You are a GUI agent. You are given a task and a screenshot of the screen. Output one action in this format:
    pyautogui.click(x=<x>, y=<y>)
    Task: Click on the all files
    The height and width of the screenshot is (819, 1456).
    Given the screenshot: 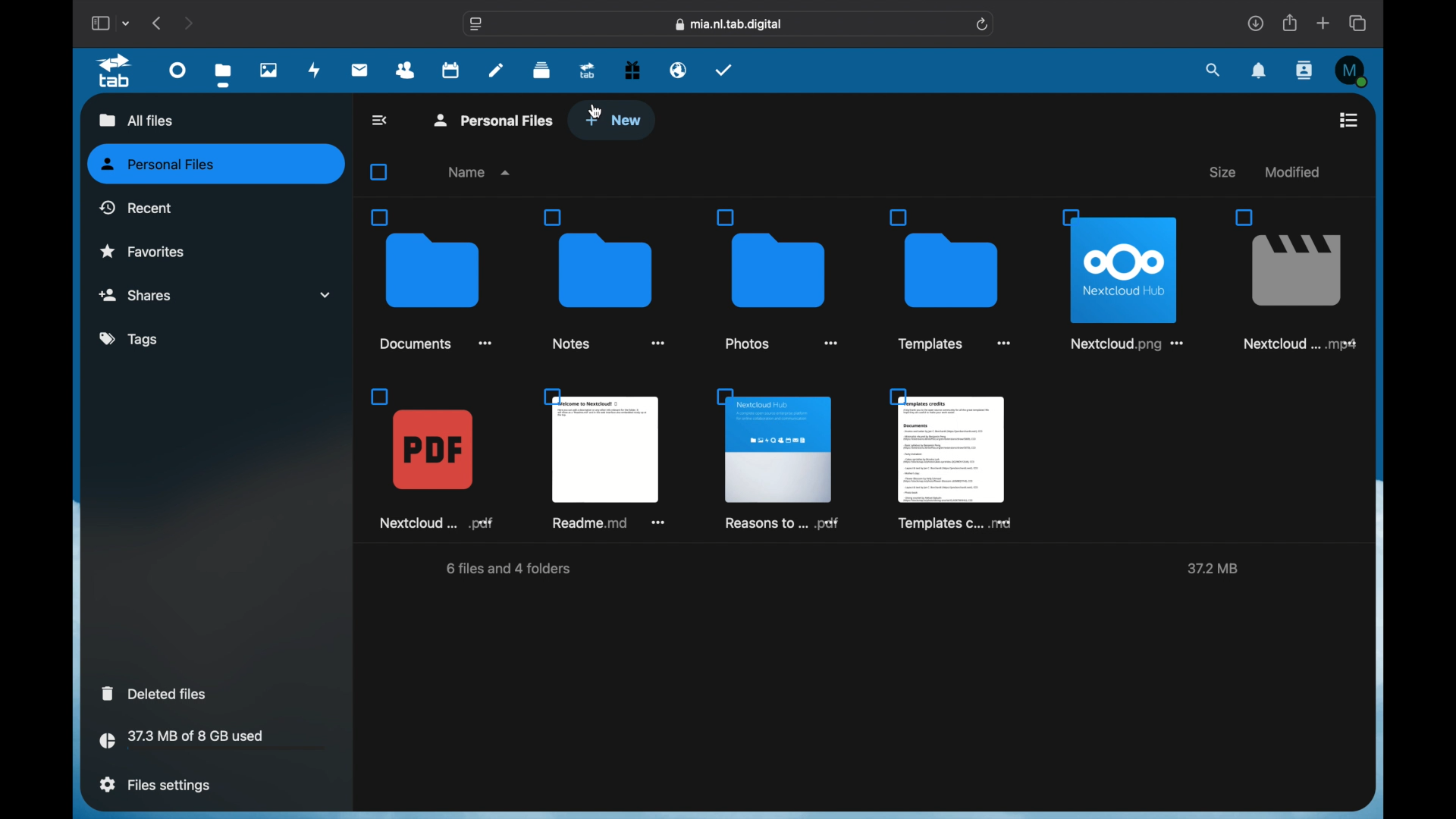 What is the action you would take?
    pyautogui.click(x=133, y=119)
    